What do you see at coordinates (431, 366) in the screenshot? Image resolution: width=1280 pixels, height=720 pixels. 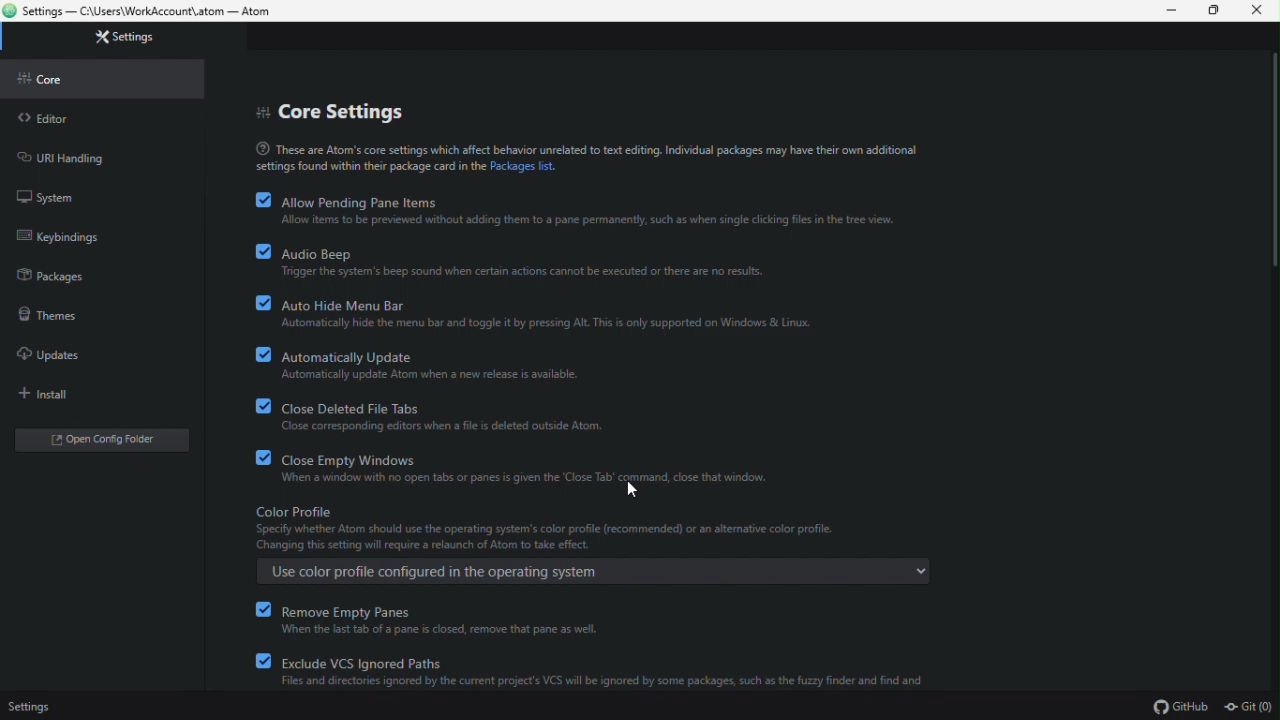 I see `automatically uodates` at bounding box center [431, 366].